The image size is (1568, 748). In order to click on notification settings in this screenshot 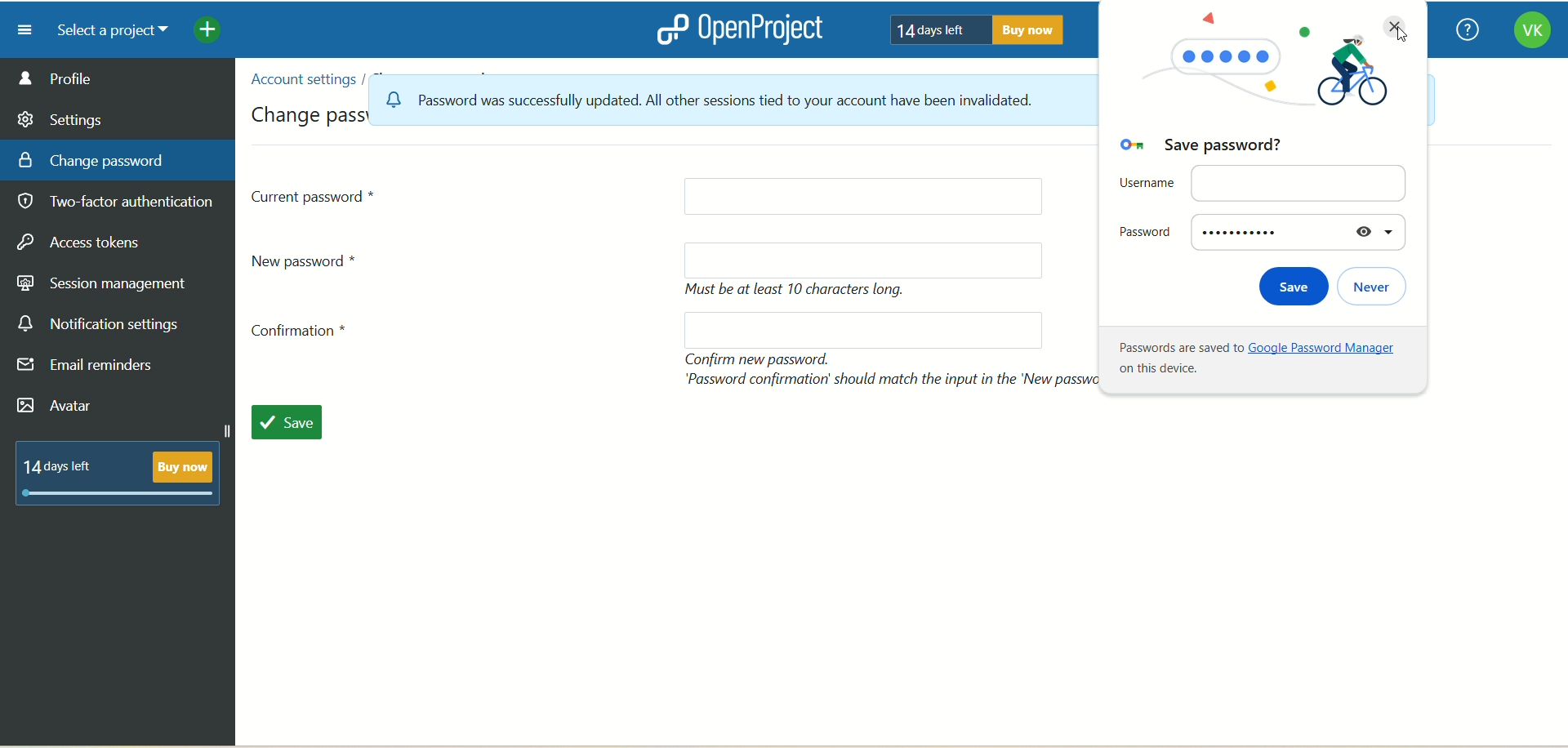, I will do `click(99, 324)`.